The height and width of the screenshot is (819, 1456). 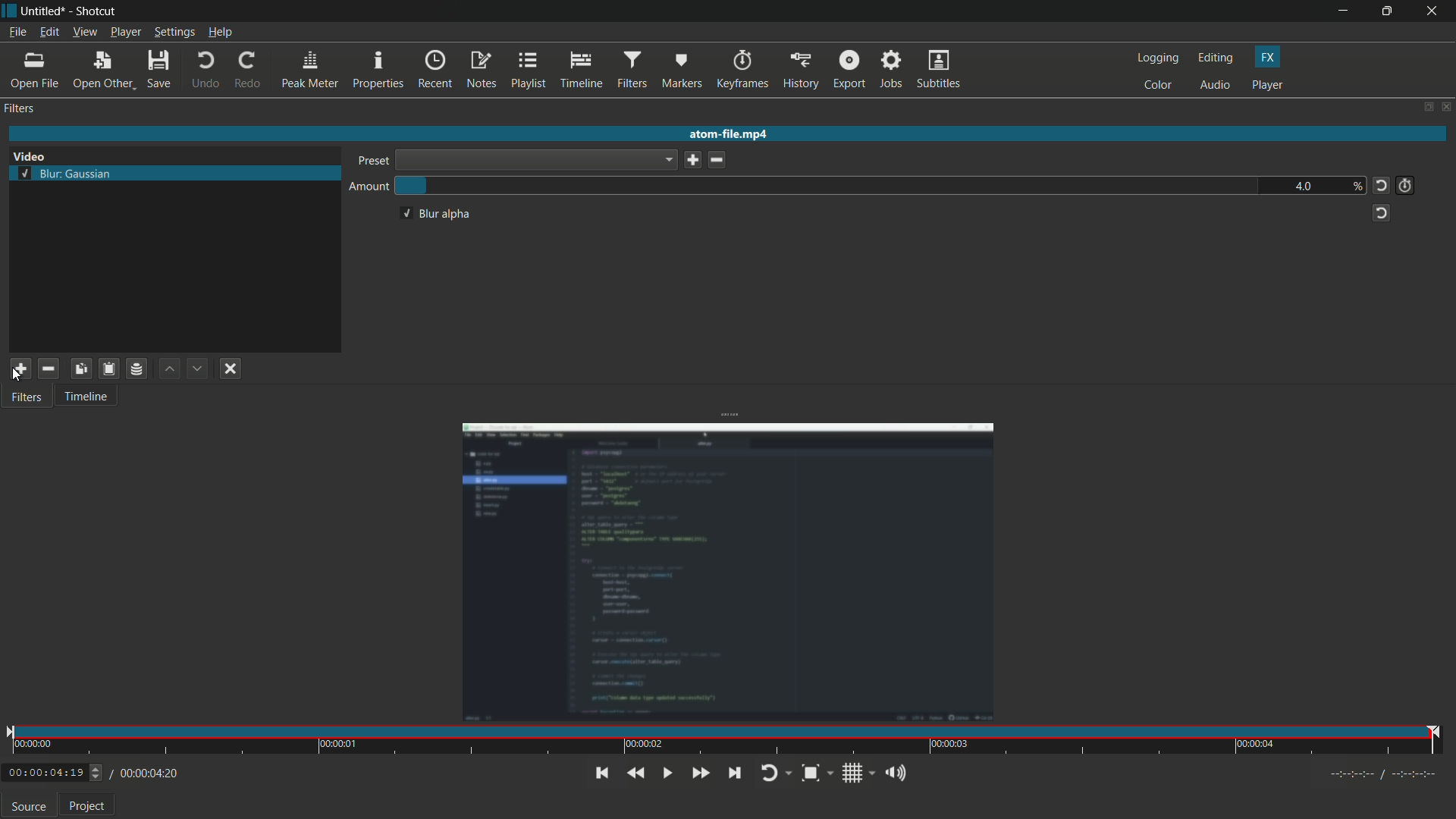 What do you see at coordinates (1404, 186) in the screenshot?
I see `use keyframes for this parameter` at bounding box center [1404, 186].